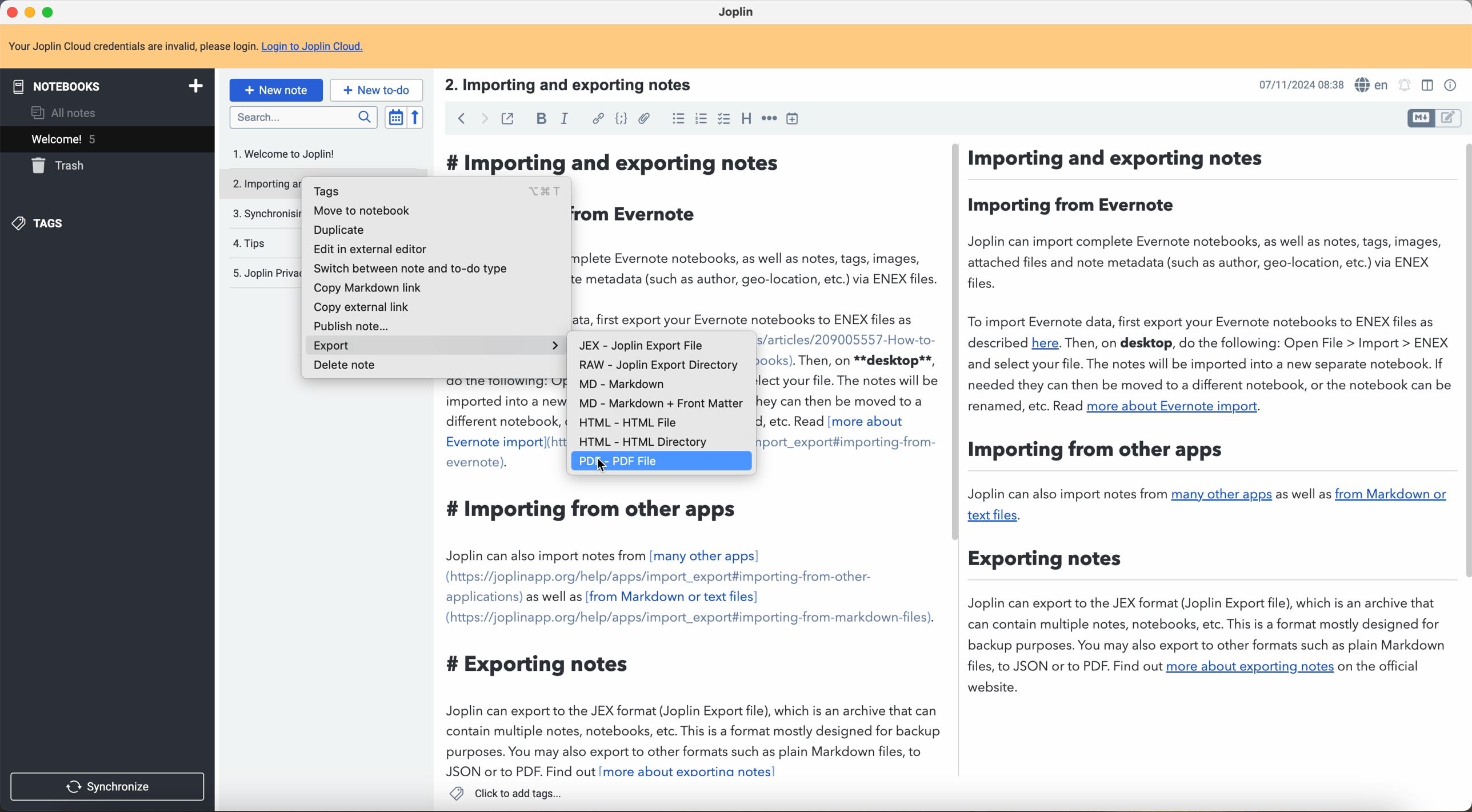 The width and height of the screenshot is (1472, 812). What do you see at coordinates (700, 121) in the screenshot?
I see `numbered list` at bounding box center [700, 121].